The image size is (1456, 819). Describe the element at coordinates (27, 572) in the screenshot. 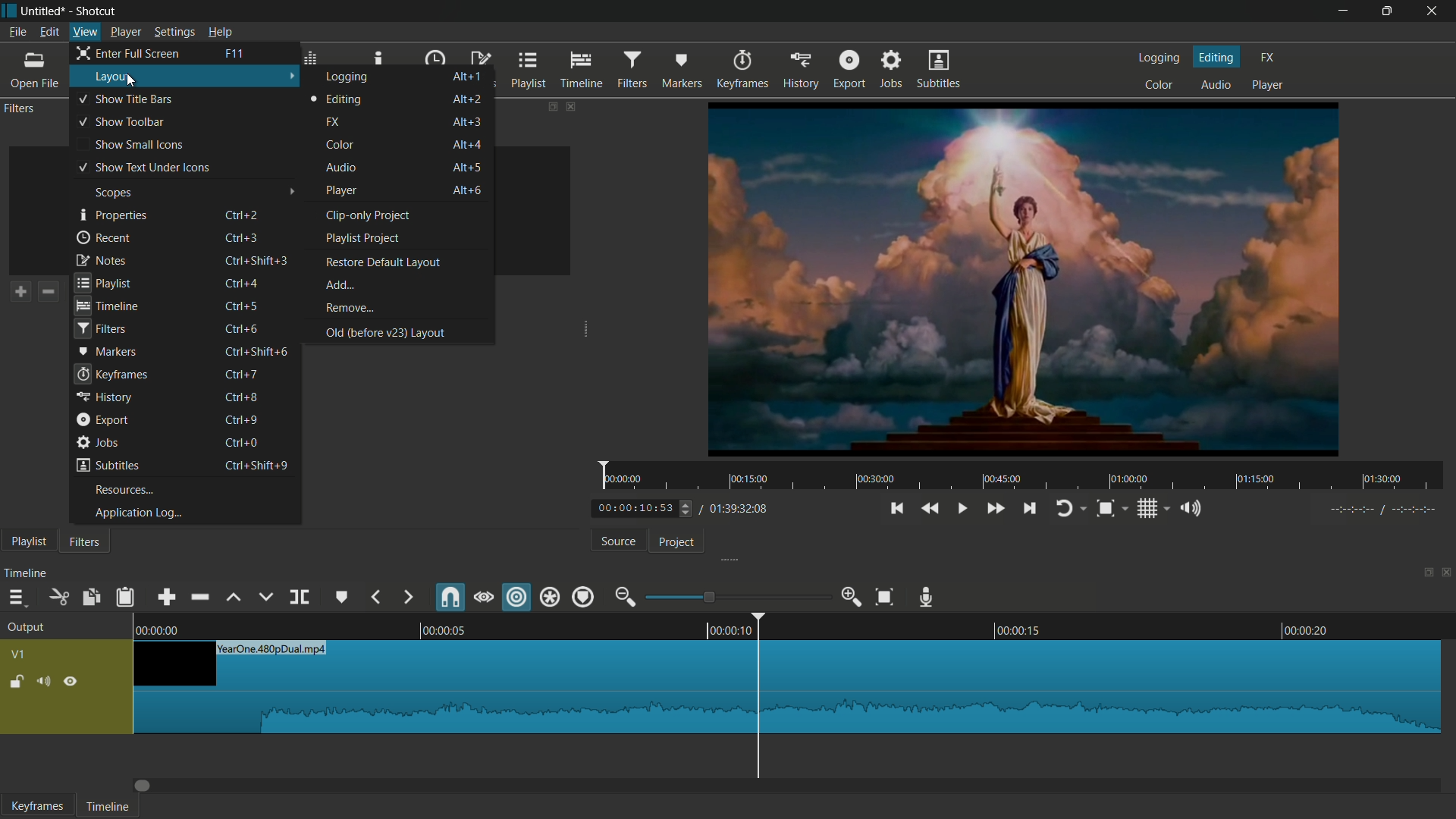

I see `timeline` at that location.